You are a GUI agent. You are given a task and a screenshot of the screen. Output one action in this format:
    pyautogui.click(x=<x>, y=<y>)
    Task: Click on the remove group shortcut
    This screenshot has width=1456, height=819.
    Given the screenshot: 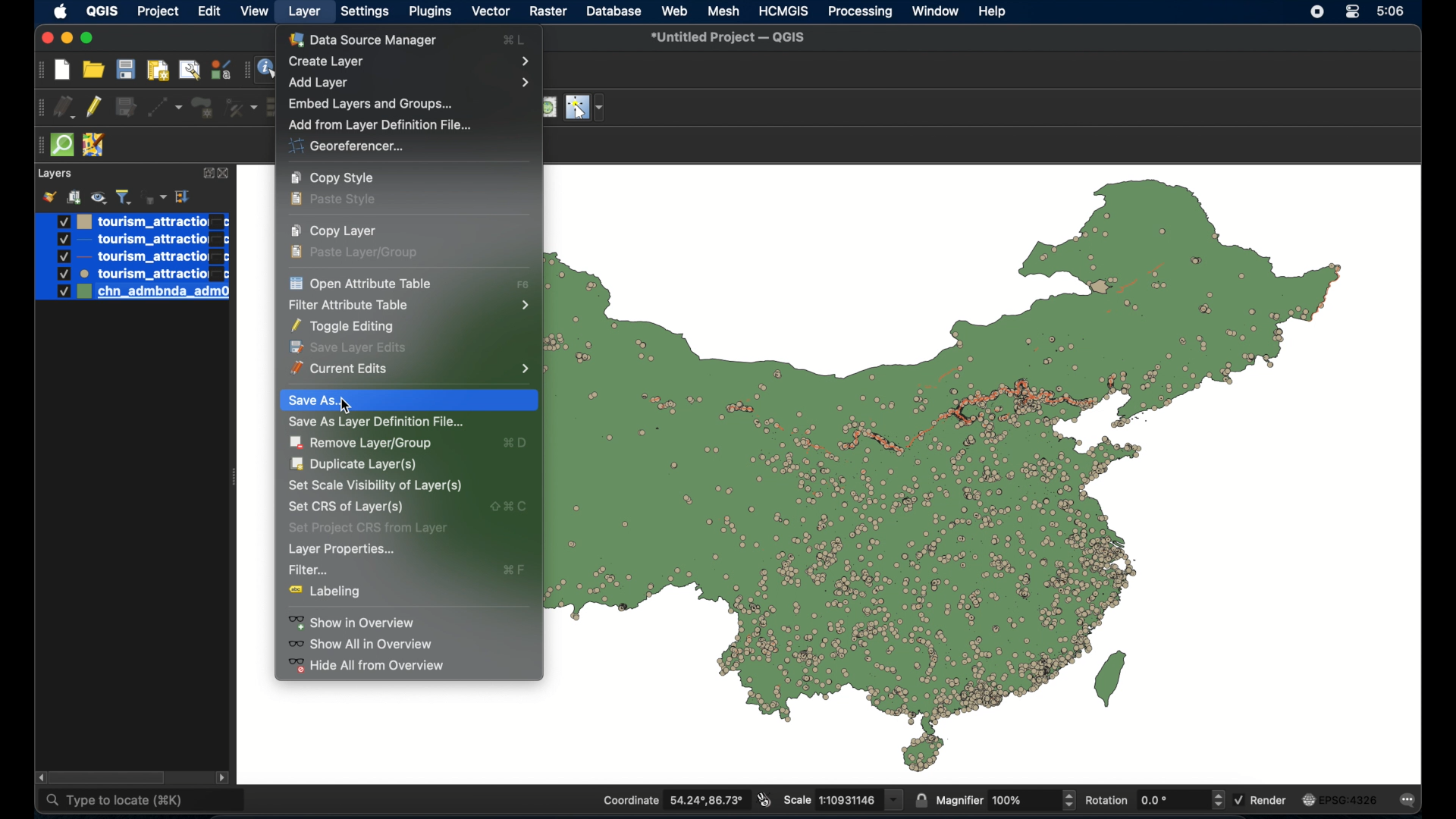 What is the action you would take?
    pyautogui.click(x=516, y=444)
    